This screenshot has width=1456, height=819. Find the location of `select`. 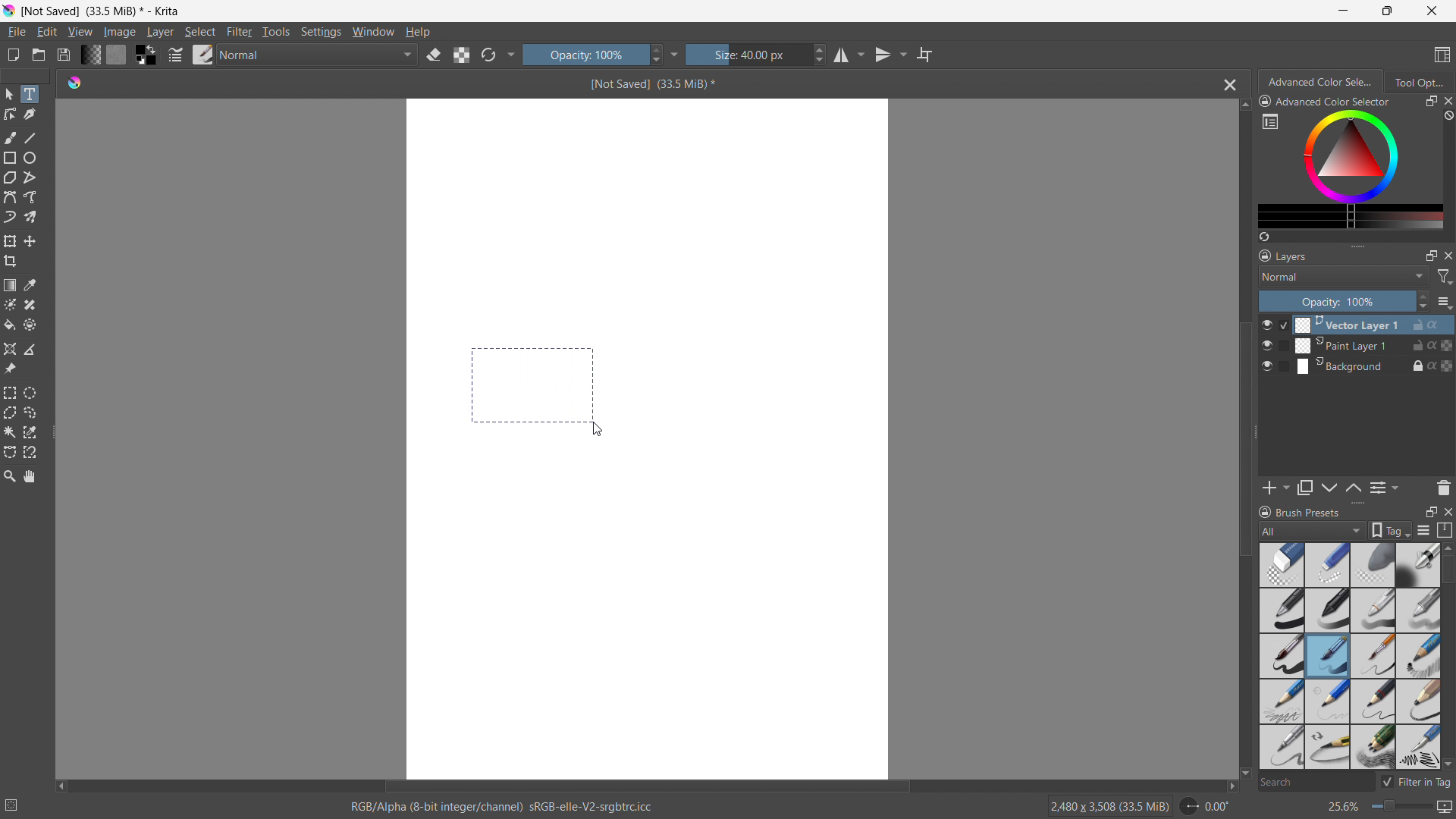

select is located at coordinates (199, 32).